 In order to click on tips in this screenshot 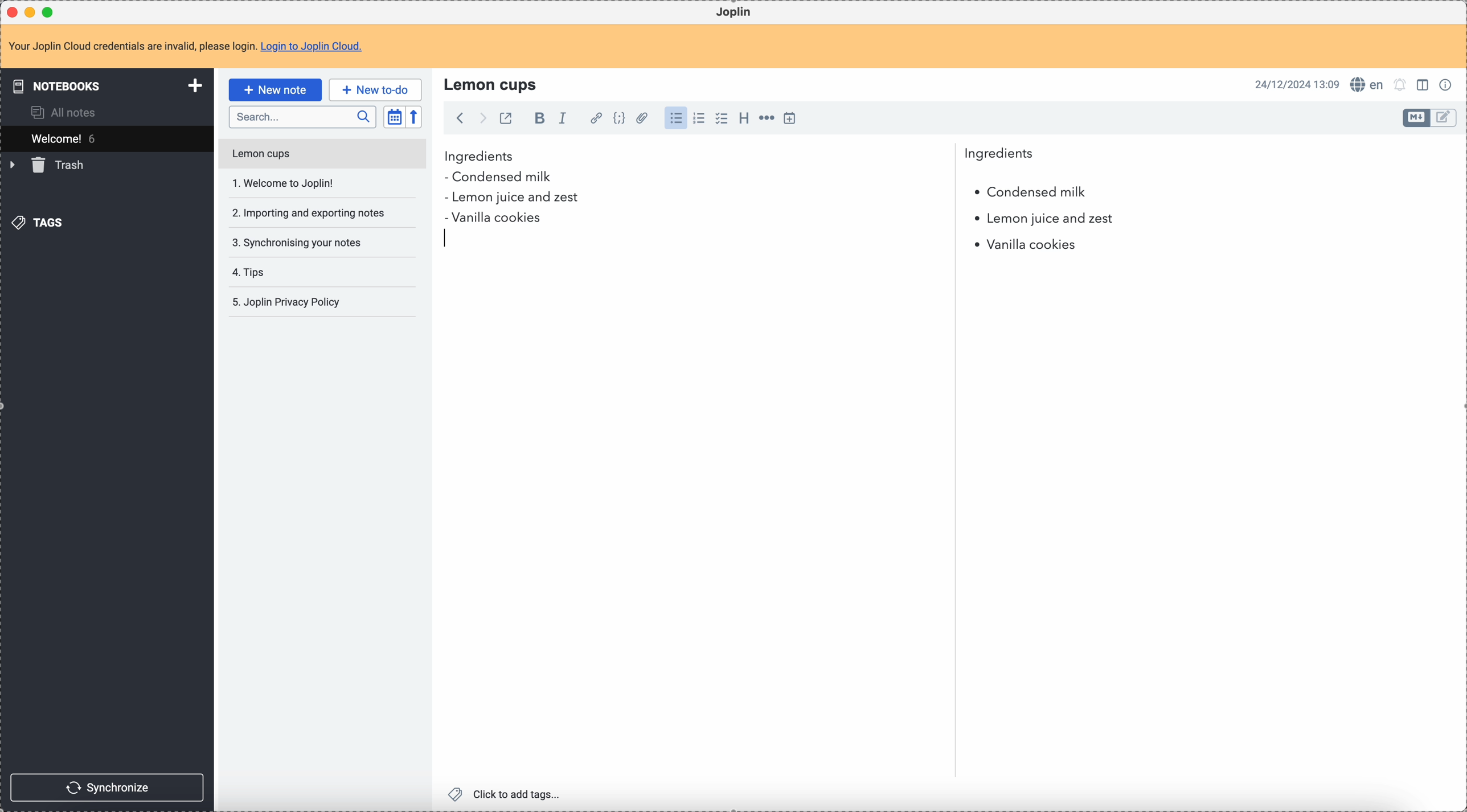, I will do `click(251, 273)`.